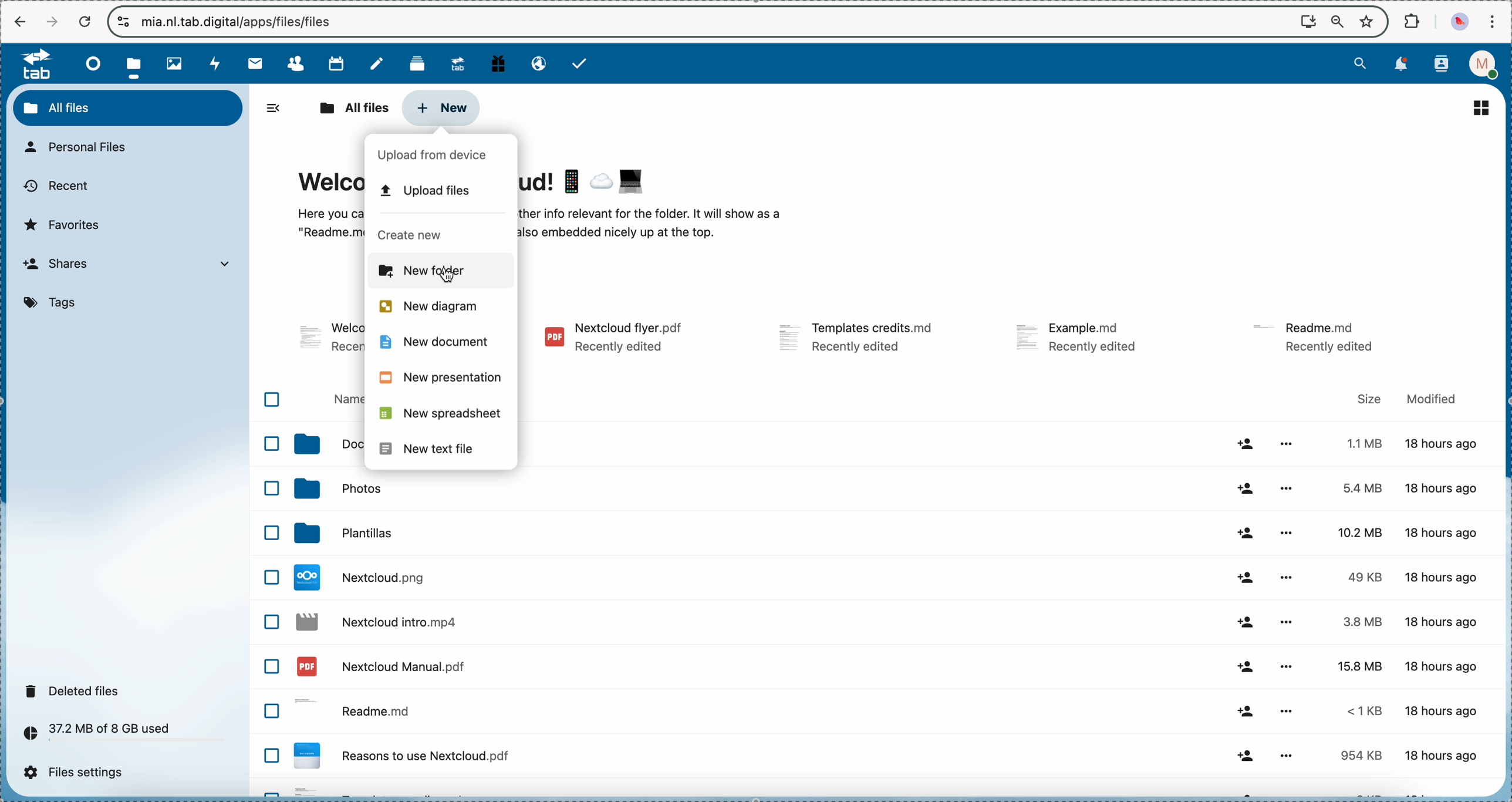 This screenshot has height=802, width=1512. Describe the element at coordinates (76, 690) in the screenshot. I see `deleted files` at that location.